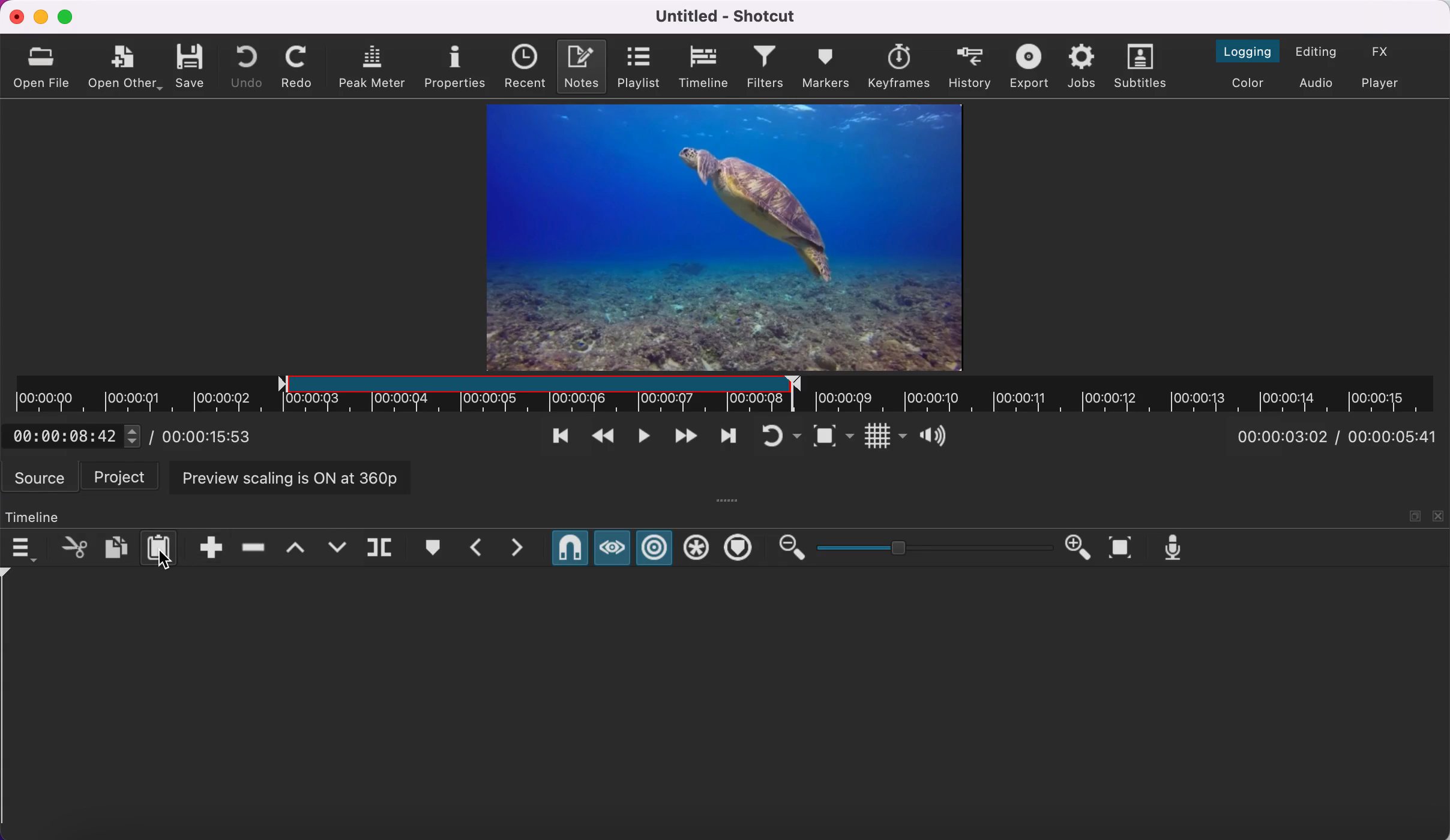 This screenshot has height=840, width=1450. What do you see at coordinates (583, 66) in the screenshot?
I see `notes` at bounding box center [583, 66].